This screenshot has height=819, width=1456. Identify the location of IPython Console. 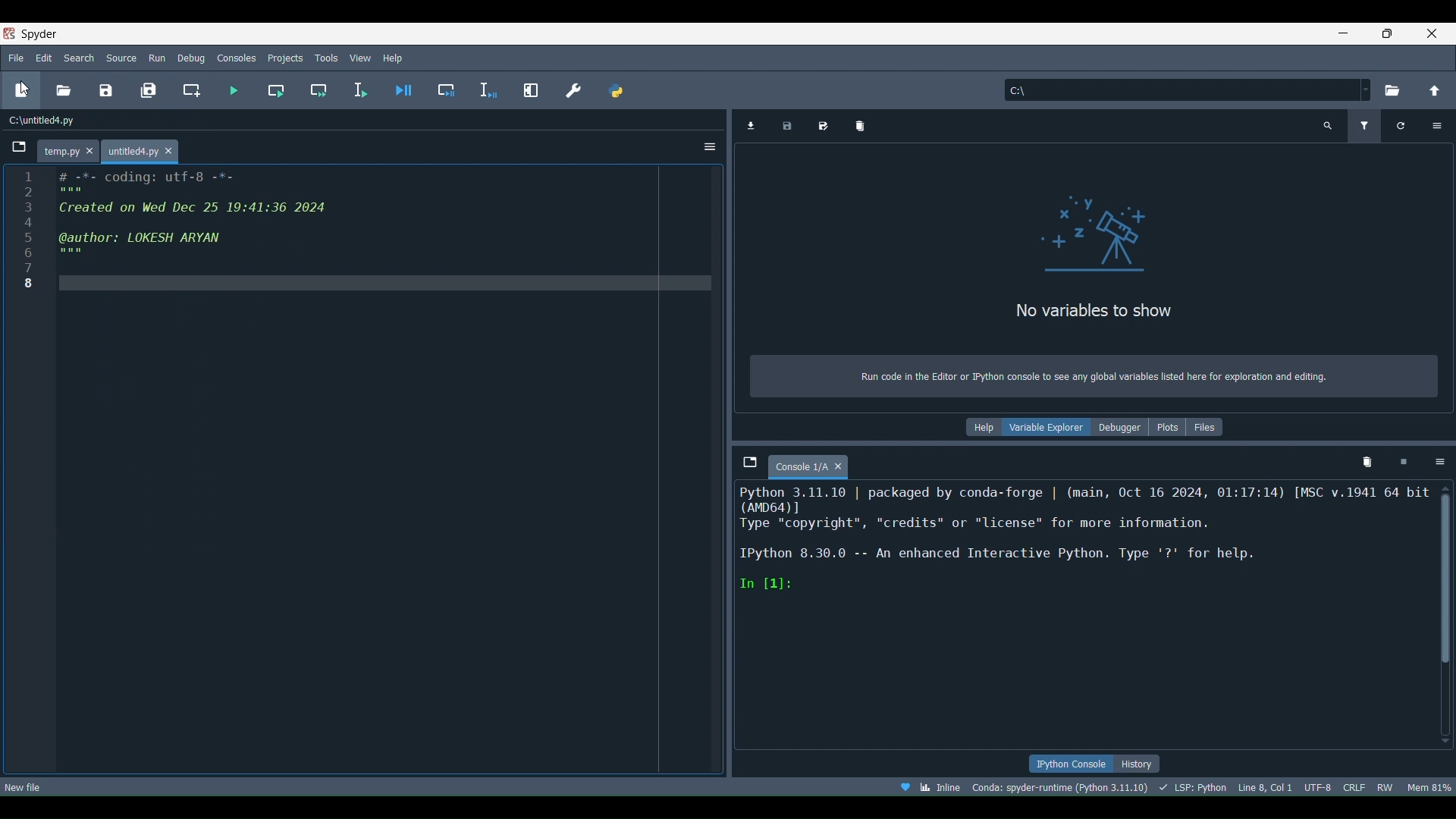
(1071, 764).